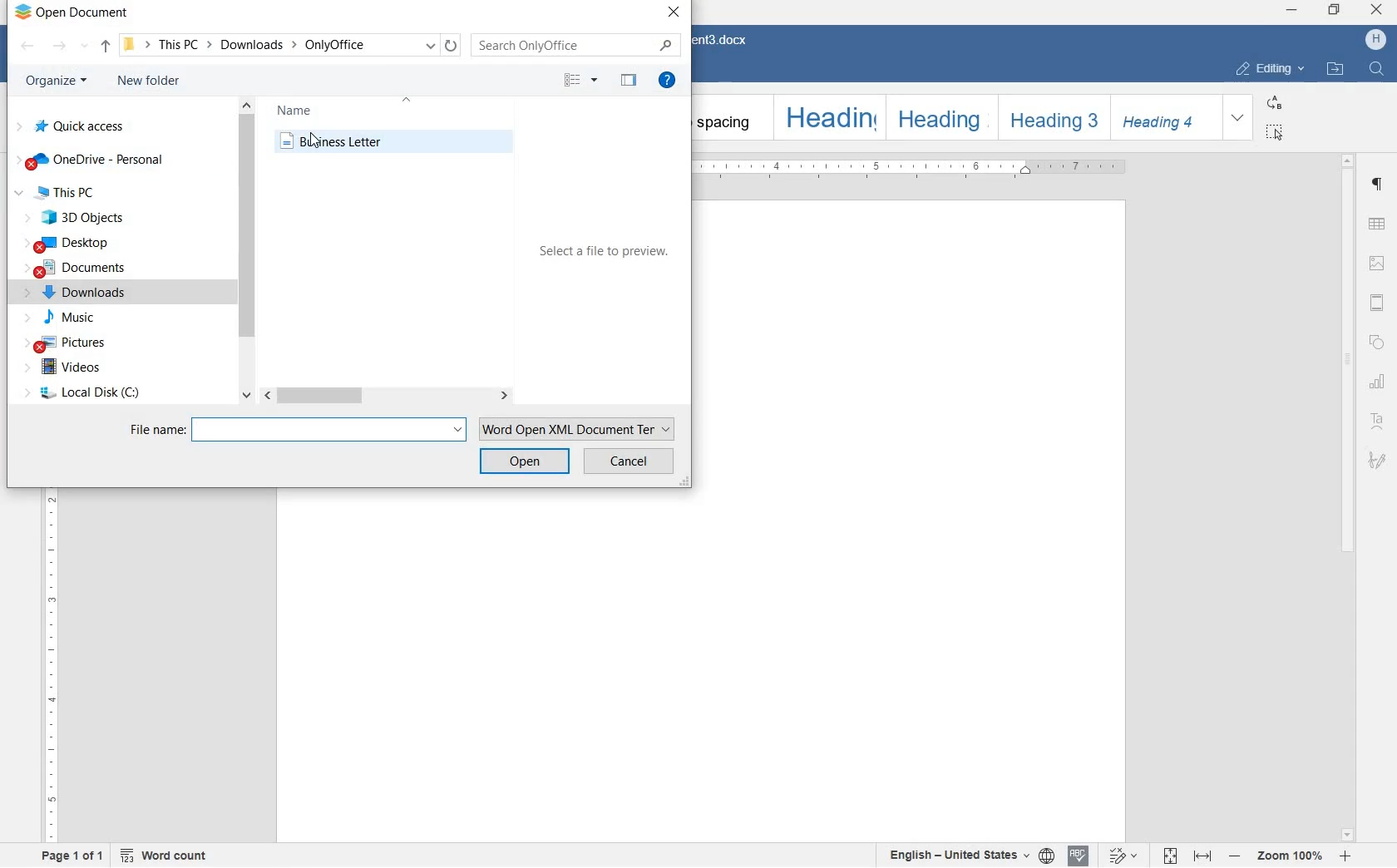 This screenshot has height=868, width=1397. What do you see at coordinates (627, 80) in the screenshot?
I see `detail view` at bounding box center [627, 80].